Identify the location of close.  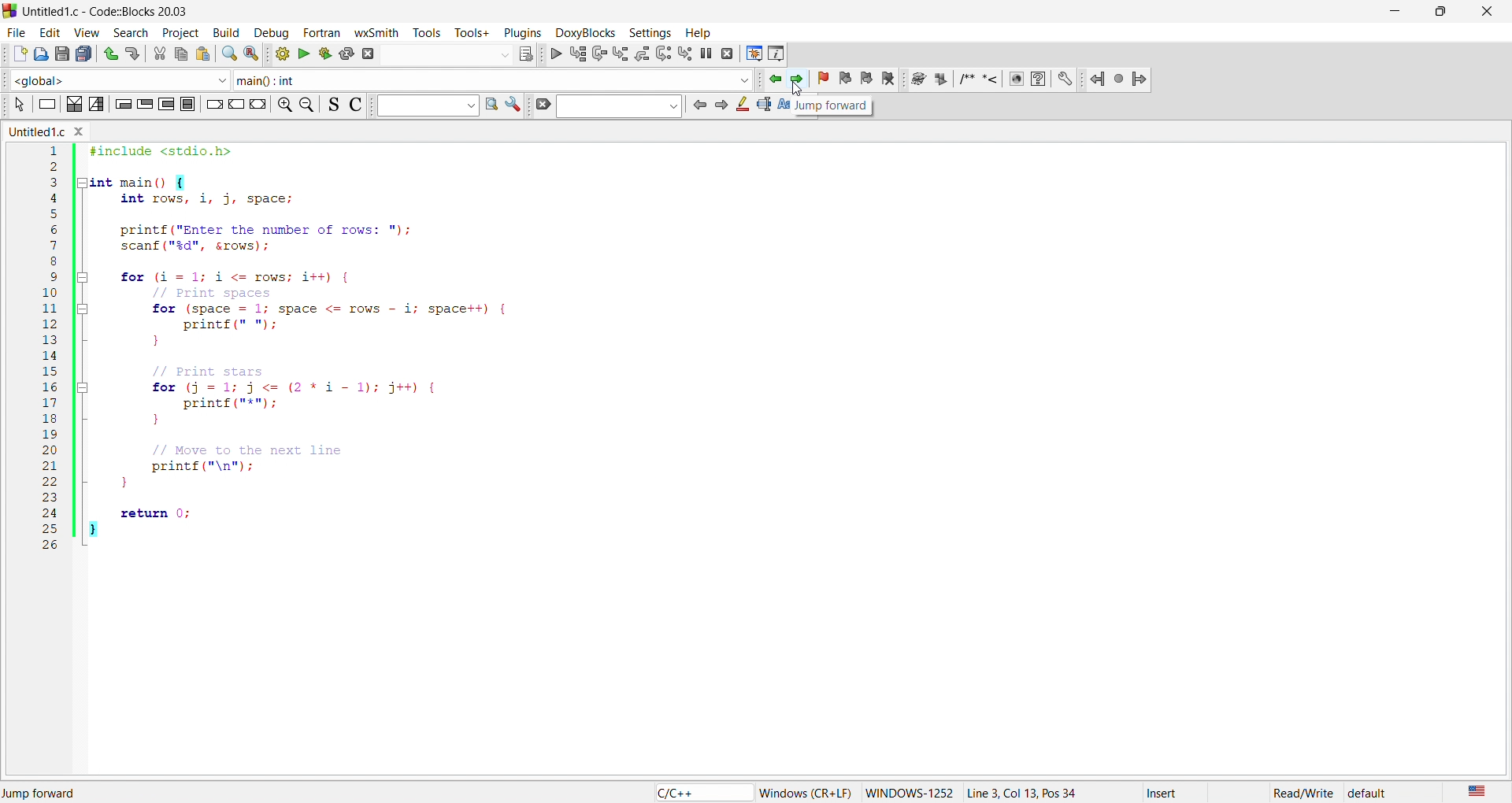
(1484, 9).